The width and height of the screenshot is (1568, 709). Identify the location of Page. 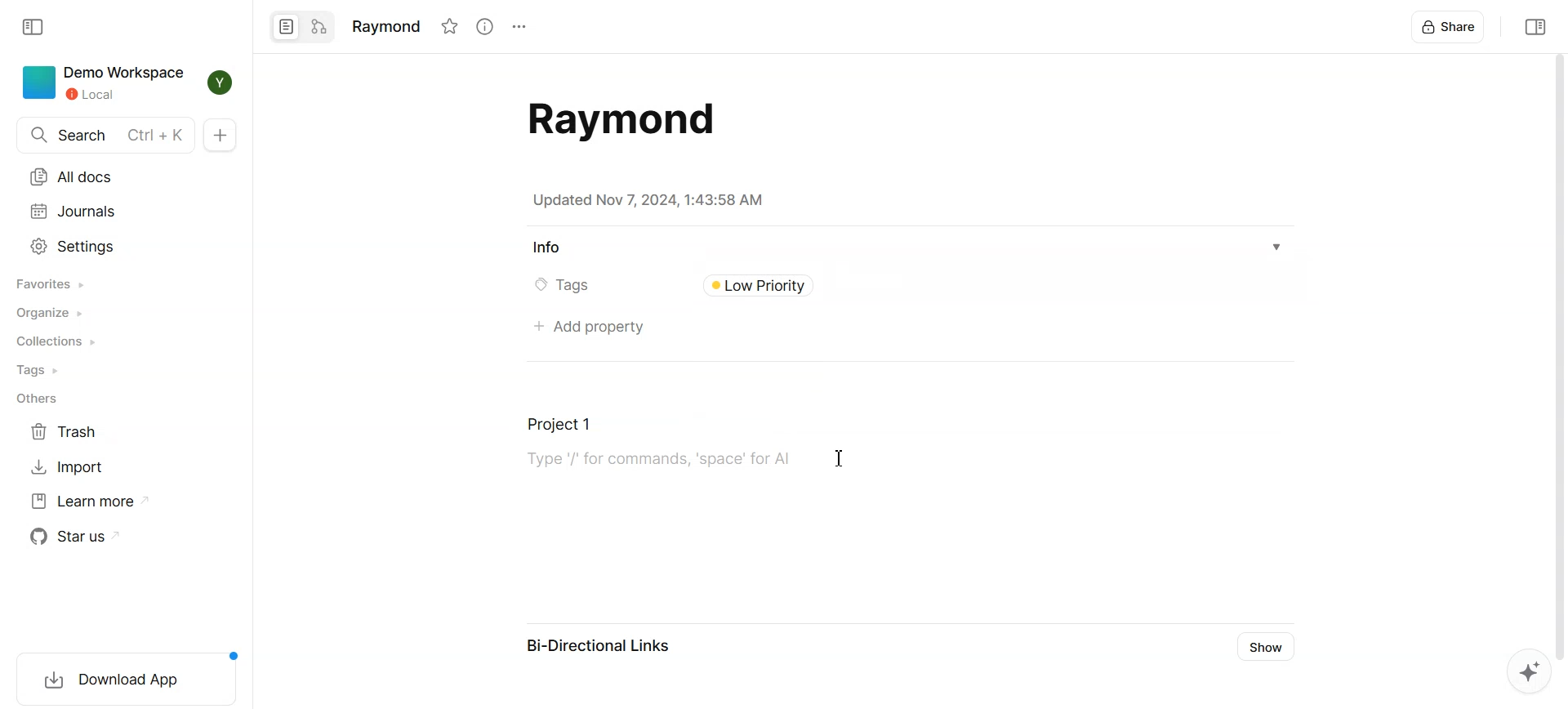
(285, 27).